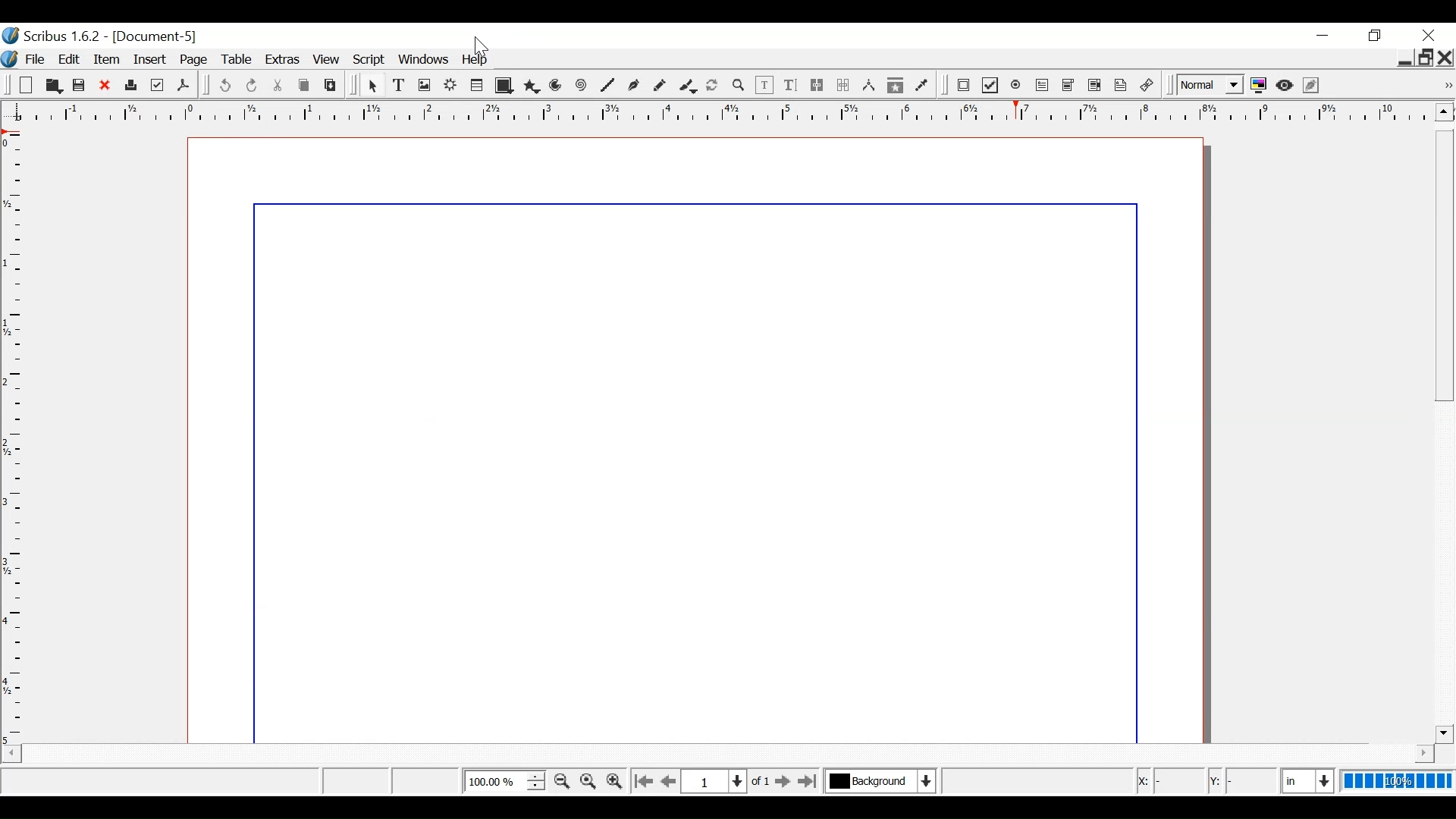 Image resolution: width=1456 pixels, height=819 pixels. What do you see at coordinates (1286, 86) in the screenshot?
I see `Preview mode` at bounding box center [1286, 86].